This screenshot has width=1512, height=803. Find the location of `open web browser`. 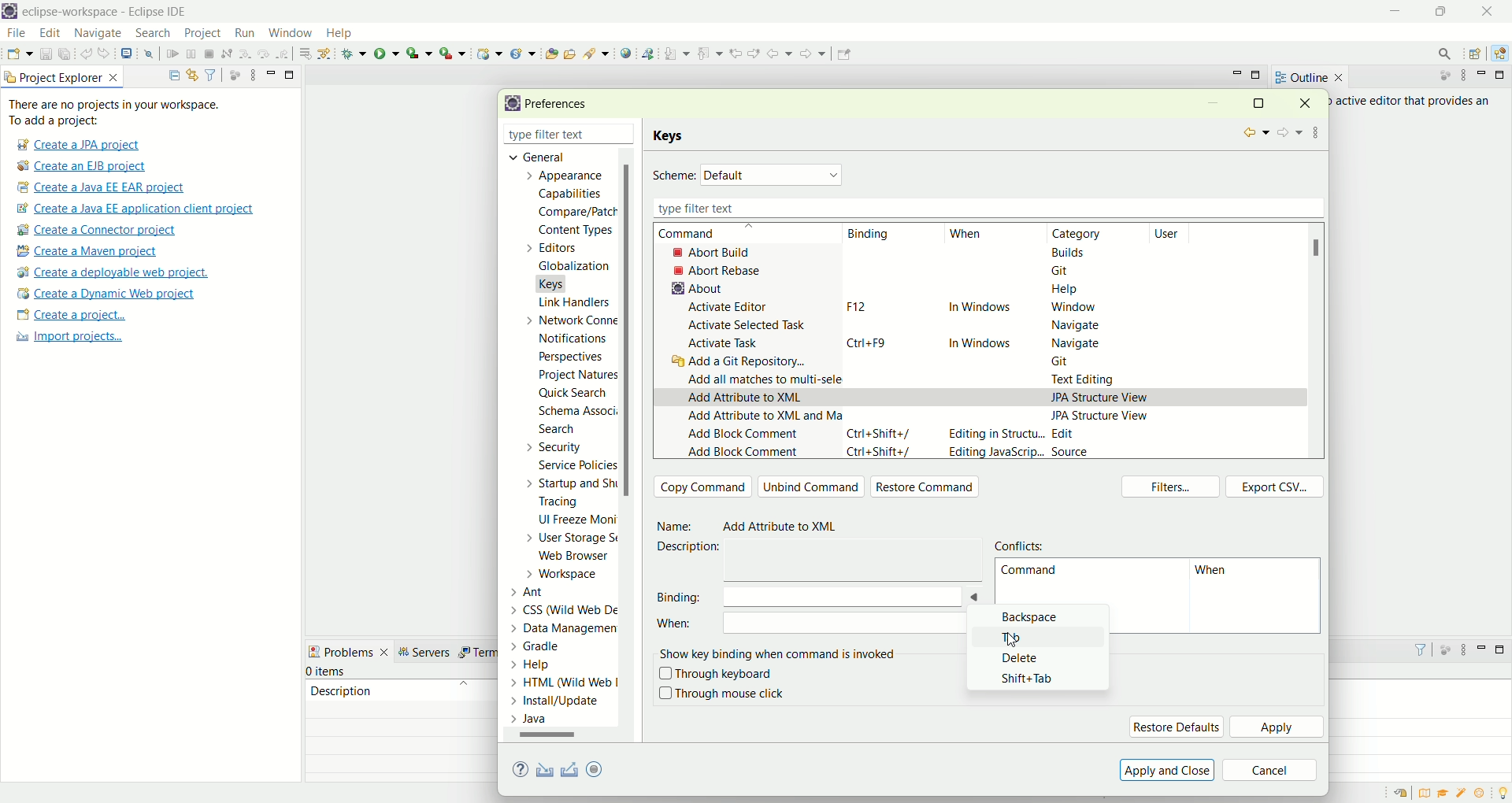

open web browser is located at coordinates (626, 54).